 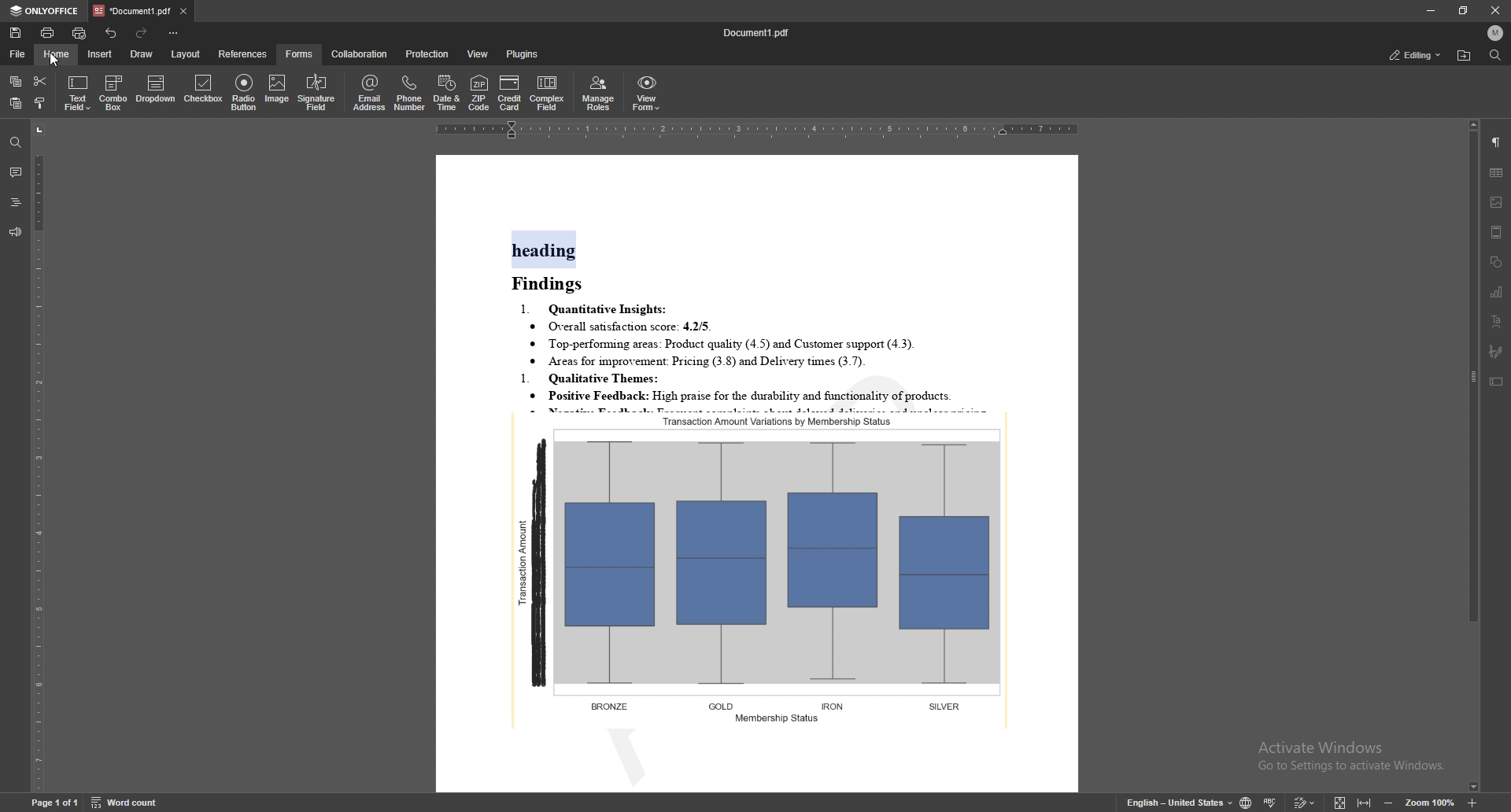 I want to click on ® Overall satisfaction score: 4.2/5., so click(x=623, y=327).